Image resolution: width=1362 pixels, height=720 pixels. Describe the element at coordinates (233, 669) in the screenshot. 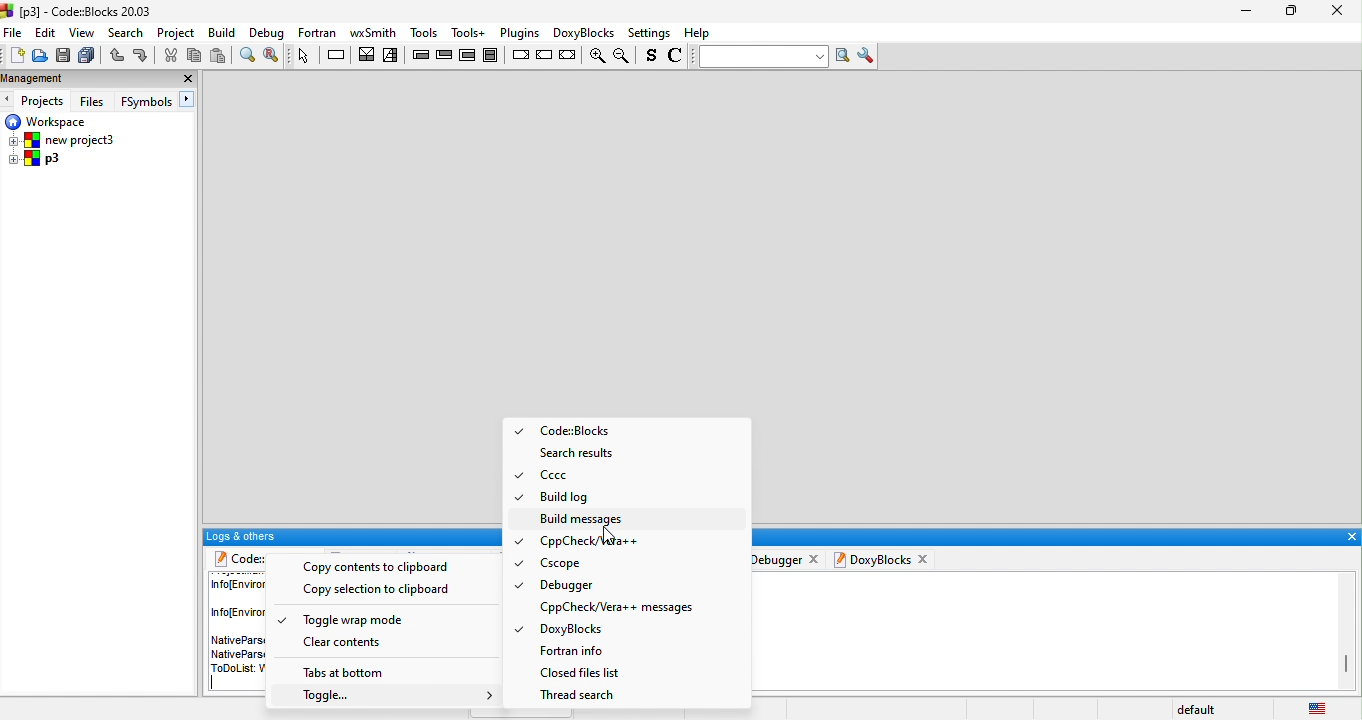

I see `todo list` at that location.